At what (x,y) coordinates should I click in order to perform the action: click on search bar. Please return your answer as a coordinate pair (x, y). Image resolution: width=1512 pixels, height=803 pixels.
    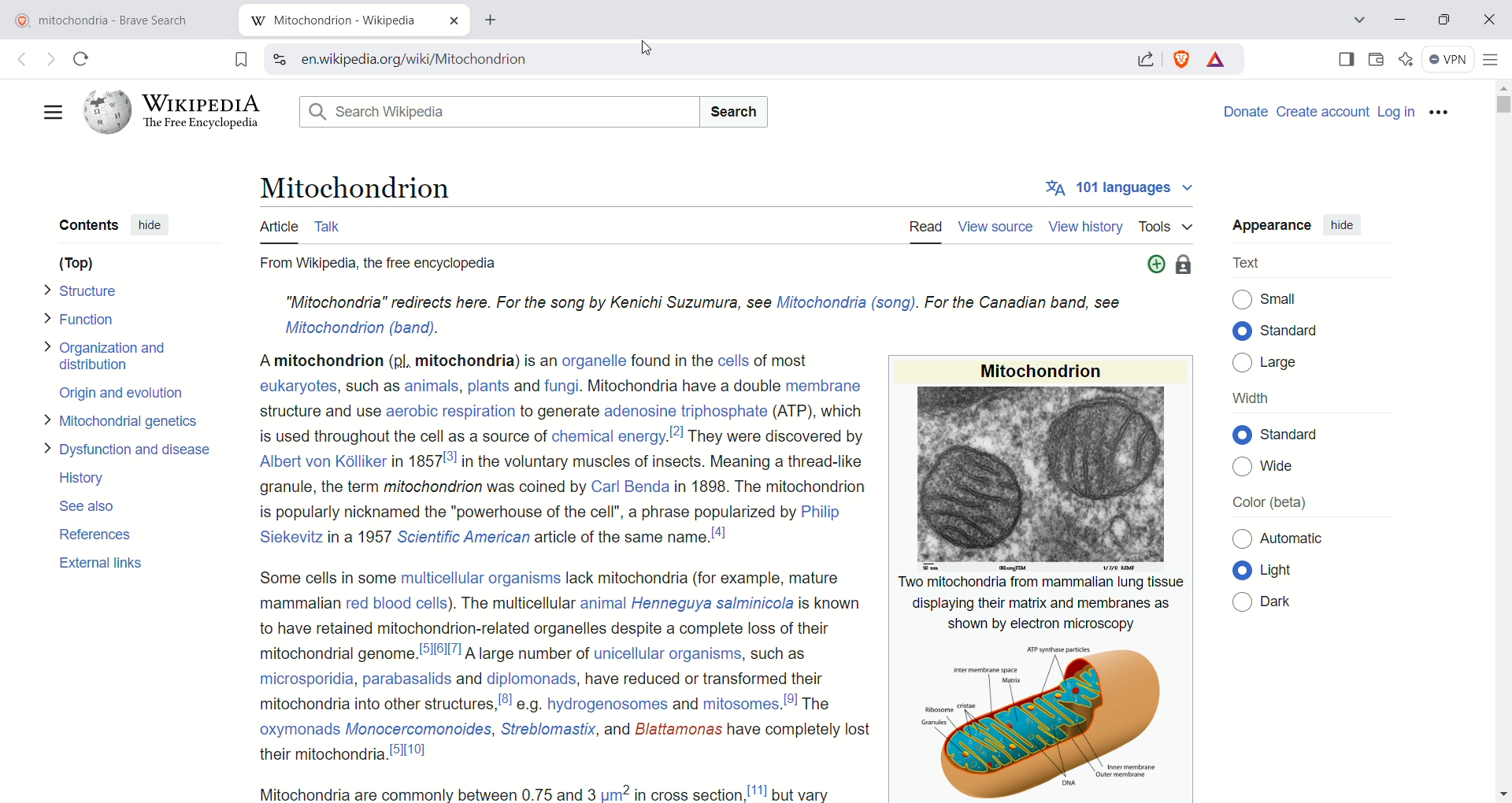
    Looking at the image, I should click on (493, 111).